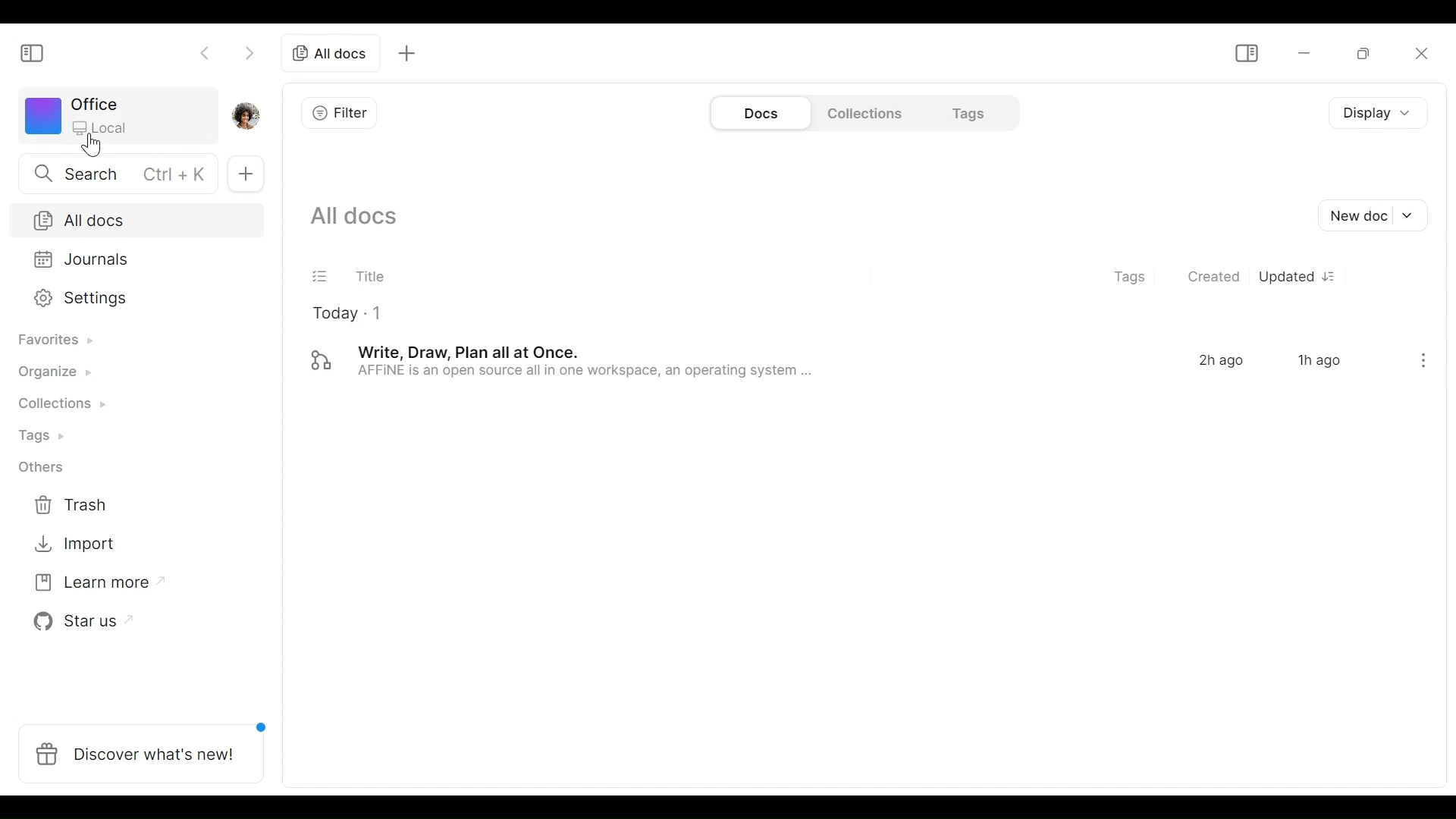  Describe the element at coordinates (55, 403) in the screenshot. I see `Contributions` at that location.